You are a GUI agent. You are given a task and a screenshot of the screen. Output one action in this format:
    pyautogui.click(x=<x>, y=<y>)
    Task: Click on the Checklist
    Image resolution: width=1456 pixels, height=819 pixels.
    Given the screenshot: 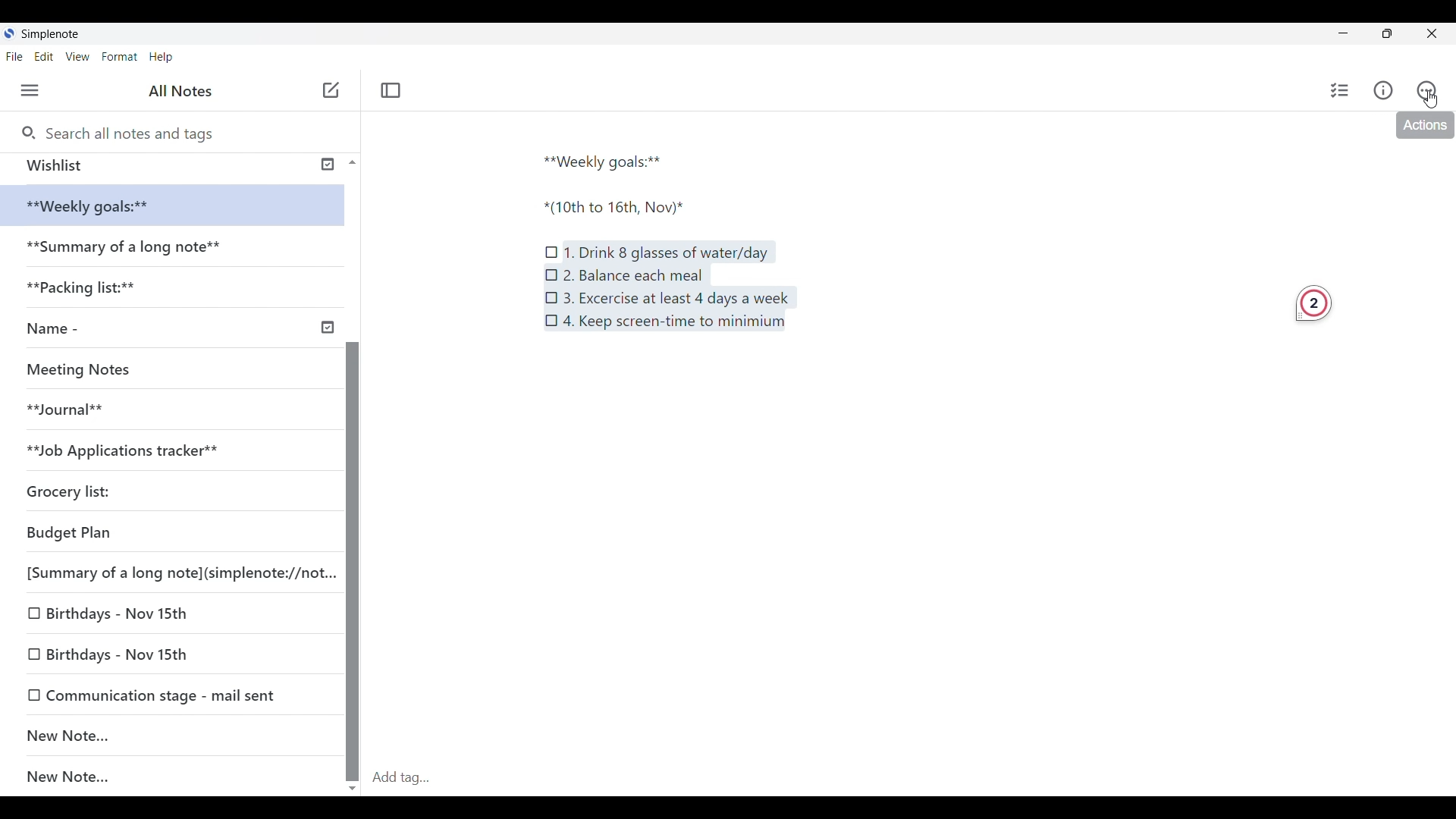 What is the action you would take?
    pyautogui.click(x=1337, y=90)
    